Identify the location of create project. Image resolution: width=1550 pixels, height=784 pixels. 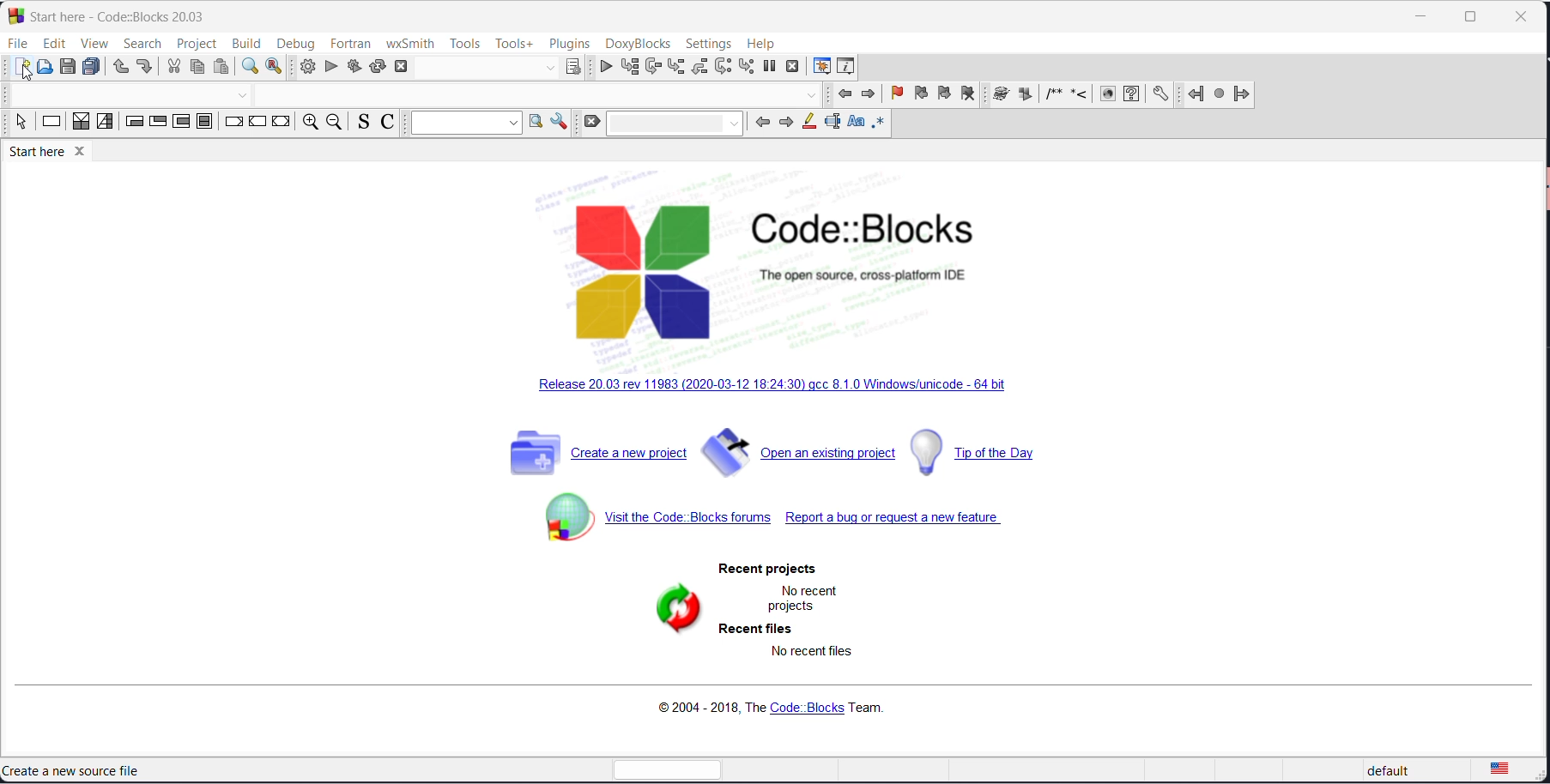
(598, 448).